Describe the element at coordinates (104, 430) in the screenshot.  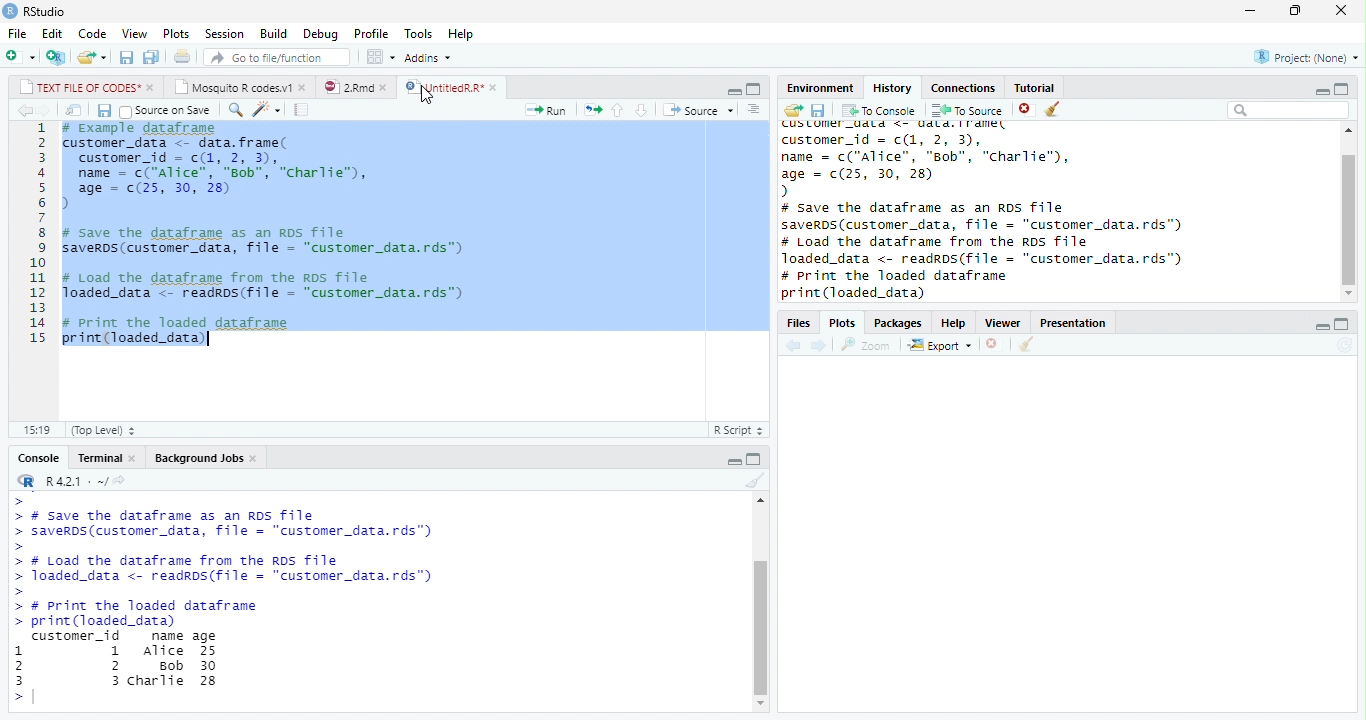
I see `Top Level` at that location.